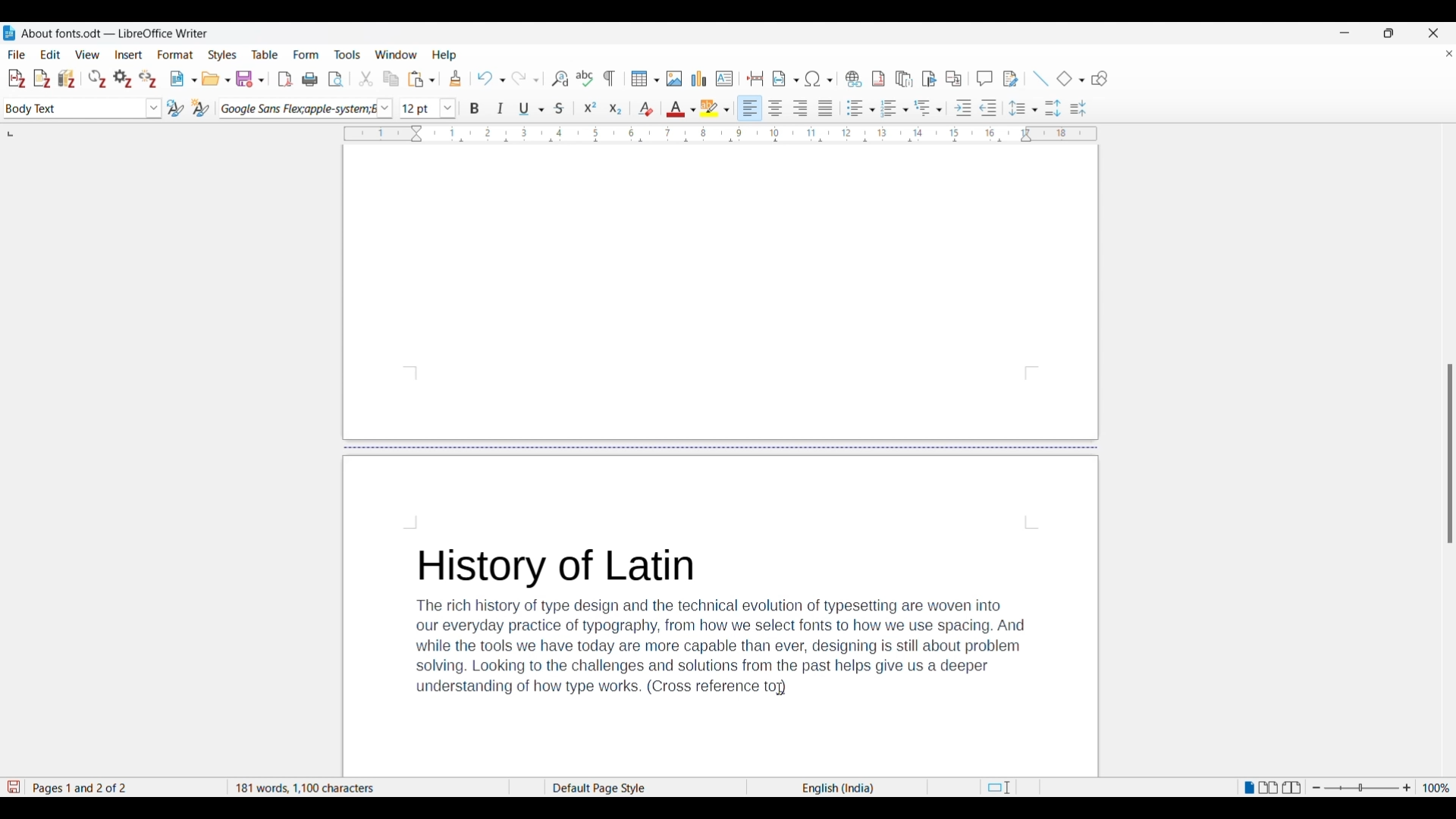  Describe the element at coordinates (1361, 789) in the screenshot. I see `Change zoom slider` at that location.